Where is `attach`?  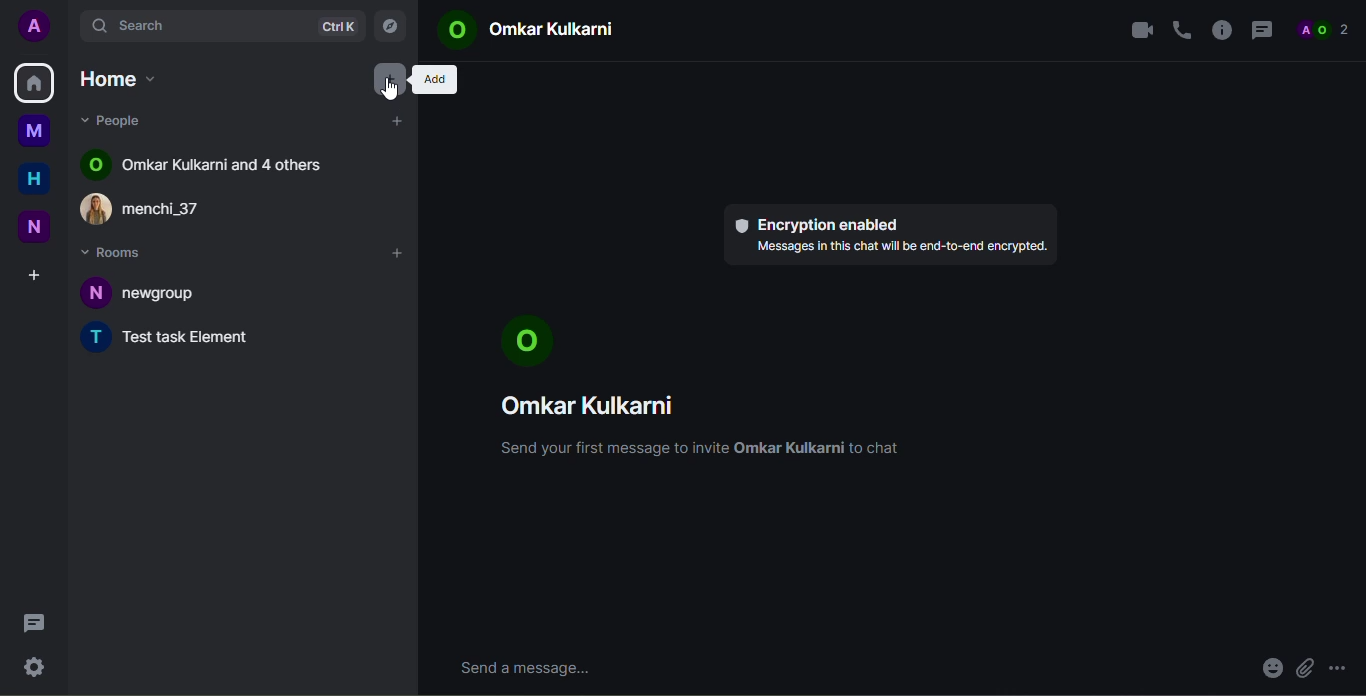
attach is located at coordinates (1304, 669).